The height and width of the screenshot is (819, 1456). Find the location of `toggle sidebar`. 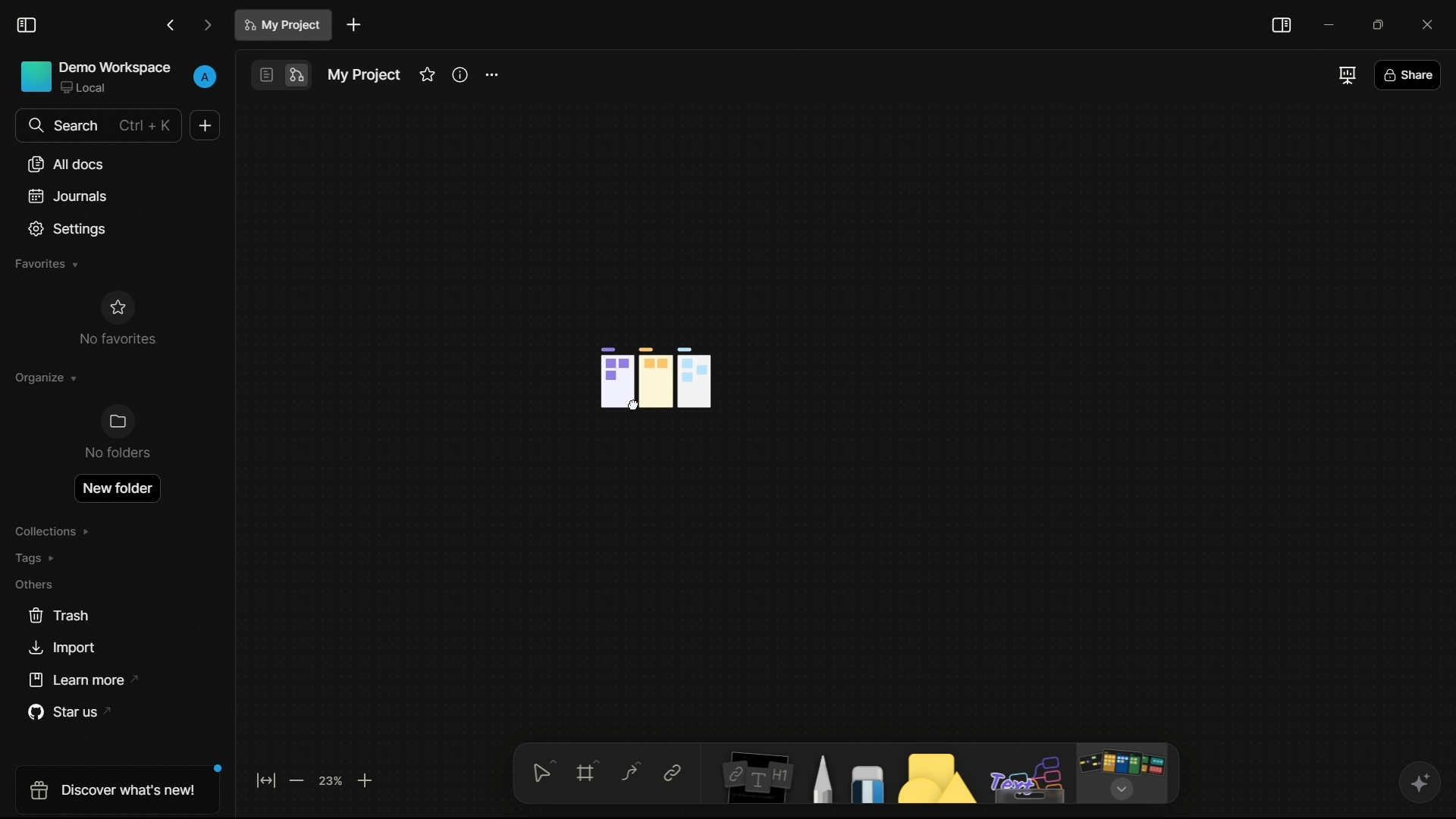

toggle sidebar is located at coordinates (1281, 25).